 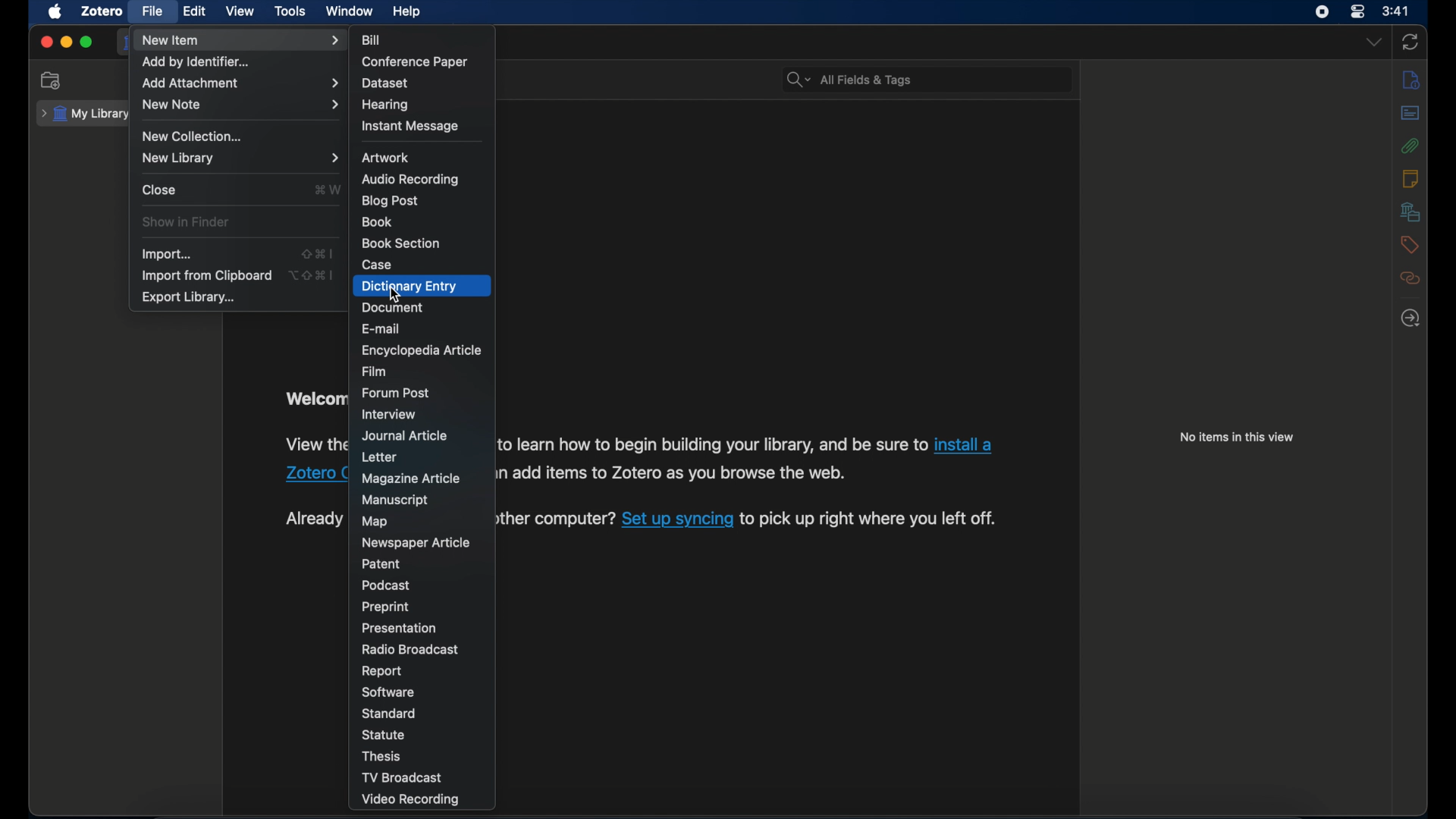 I want to click on minimize, so click(x=67, y=42).